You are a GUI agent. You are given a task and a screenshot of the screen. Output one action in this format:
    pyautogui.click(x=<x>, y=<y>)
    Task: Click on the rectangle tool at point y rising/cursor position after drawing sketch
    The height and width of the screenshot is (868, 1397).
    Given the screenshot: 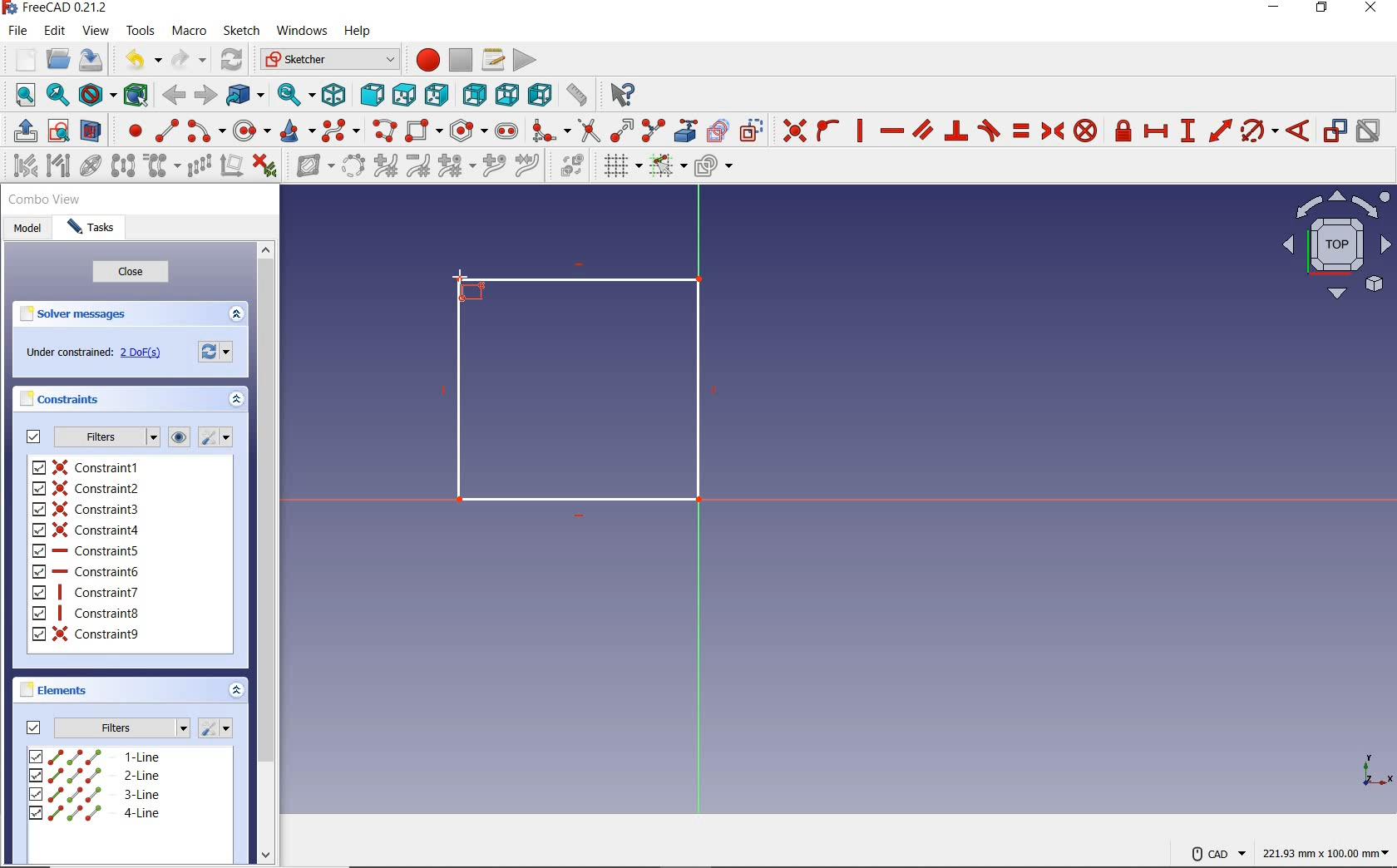 What is the action you would take?
    pyautogui.click(x=470, y=286)
    